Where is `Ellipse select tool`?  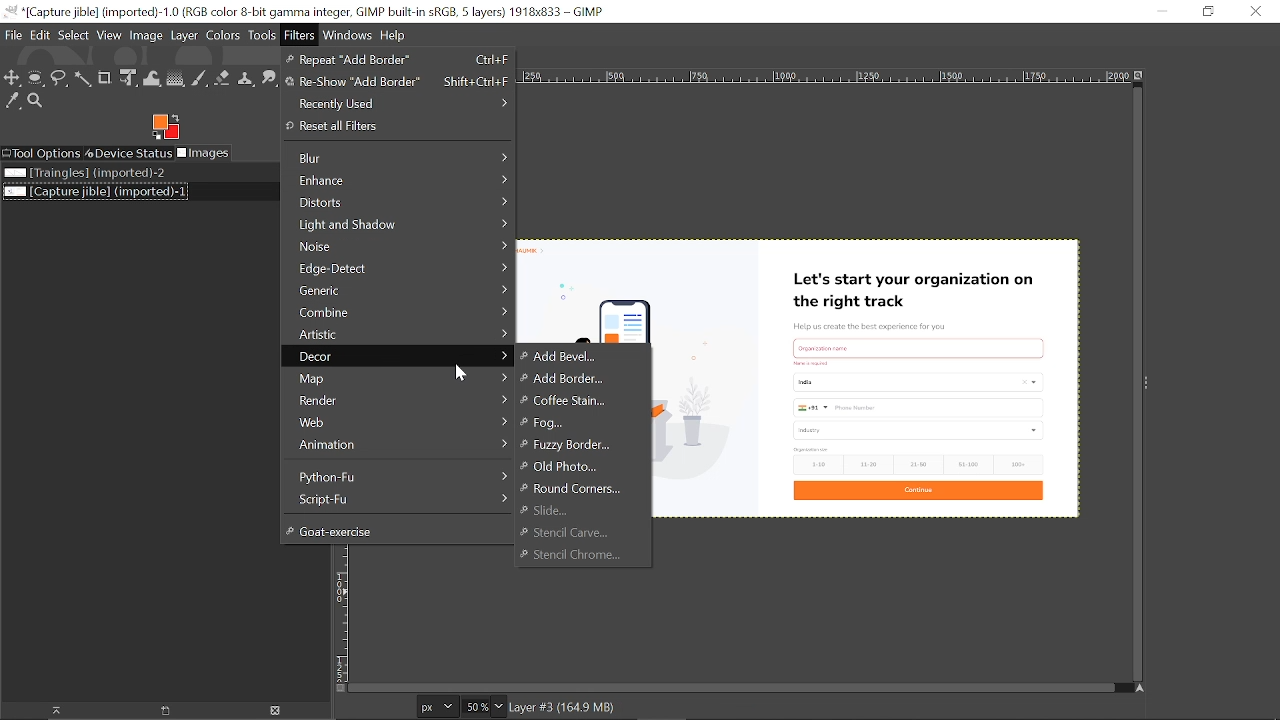
Ellipse select tool is located at coordinates (37, 78).